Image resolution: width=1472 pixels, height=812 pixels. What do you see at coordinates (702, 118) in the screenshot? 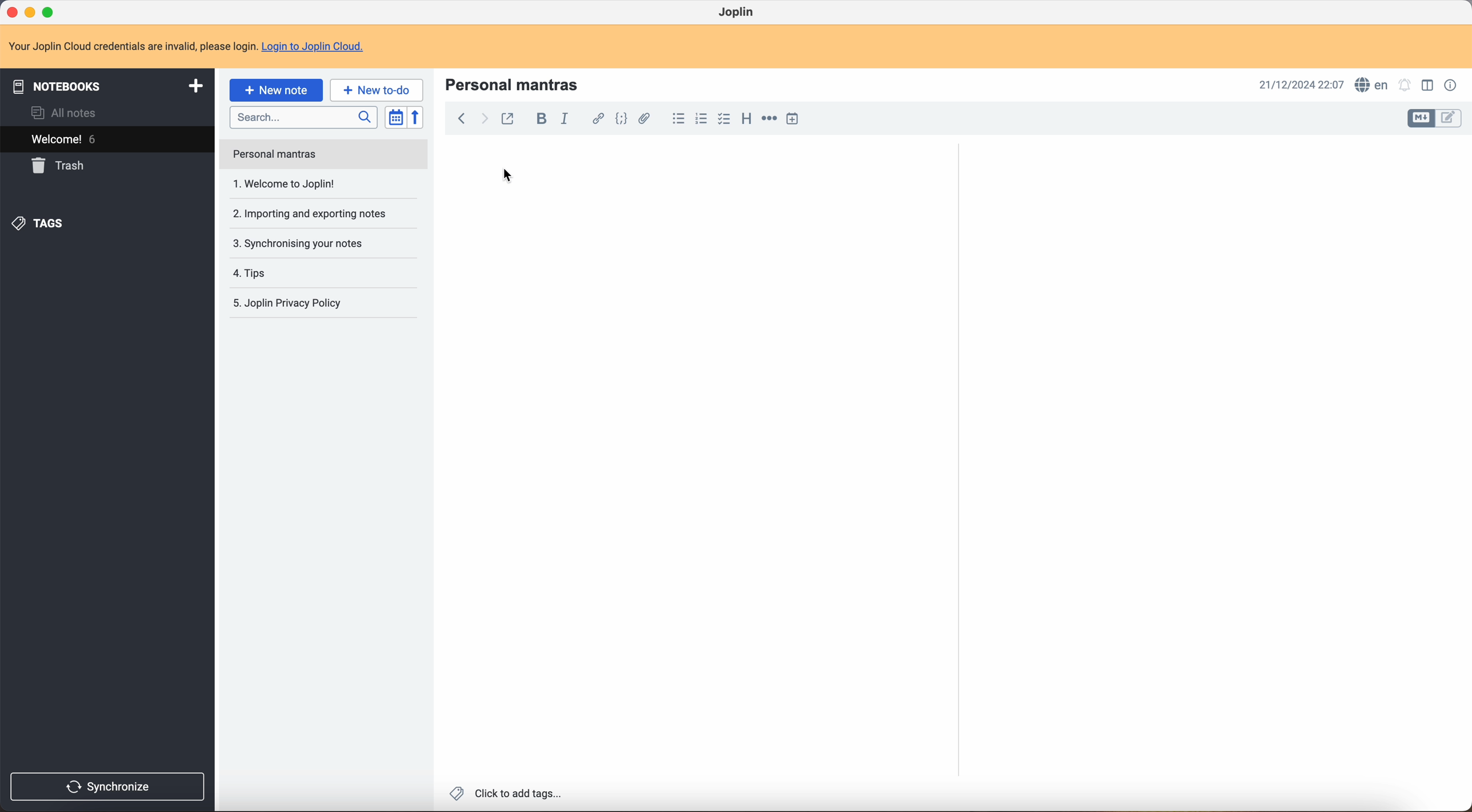
I see `numbered list` at bounding box center [702, 118].